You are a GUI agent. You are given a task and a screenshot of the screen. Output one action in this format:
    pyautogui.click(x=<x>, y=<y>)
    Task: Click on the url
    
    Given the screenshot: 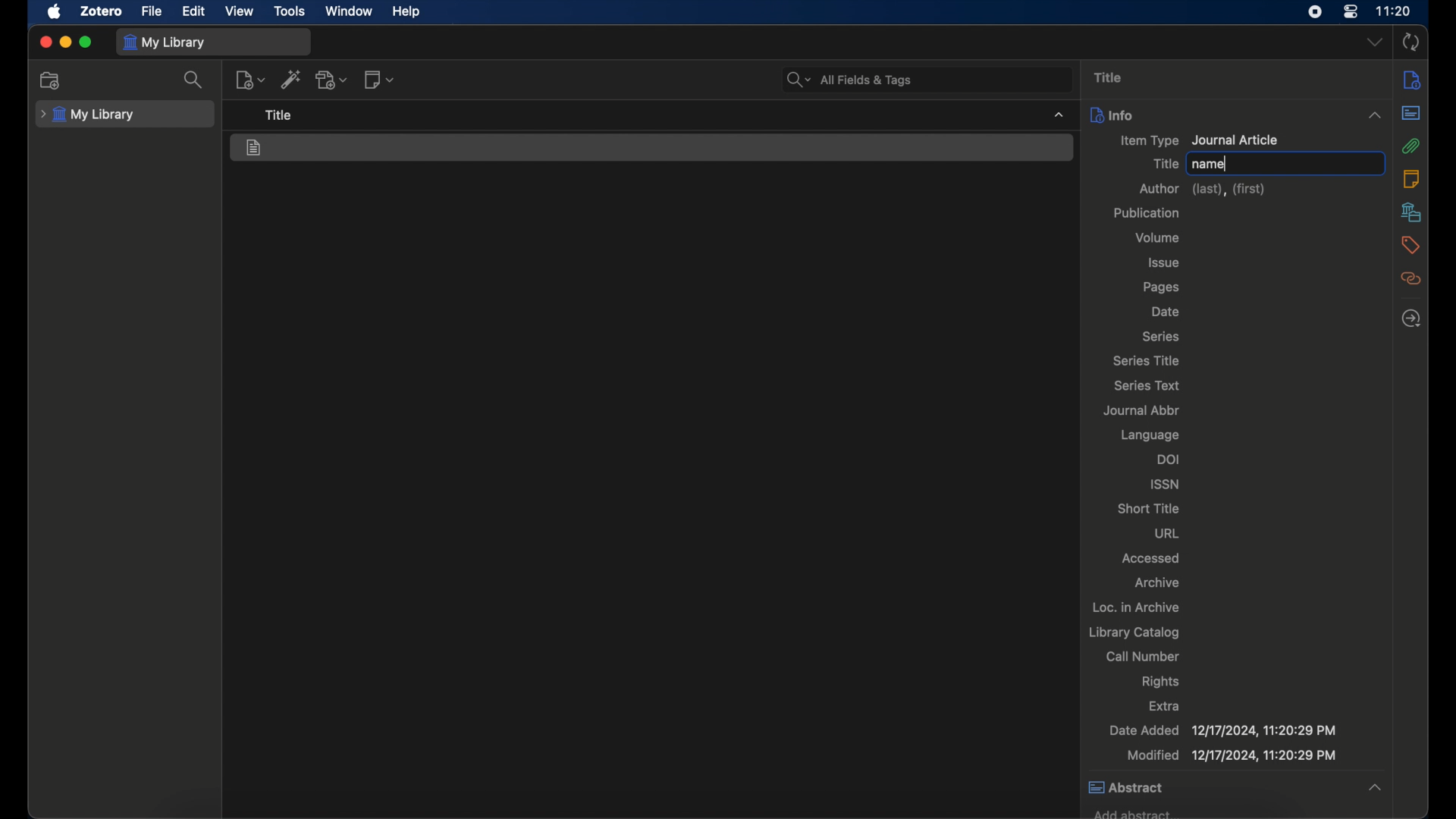 What is the action you would take?
    pyautogui.click(x=1168, y=532)
    